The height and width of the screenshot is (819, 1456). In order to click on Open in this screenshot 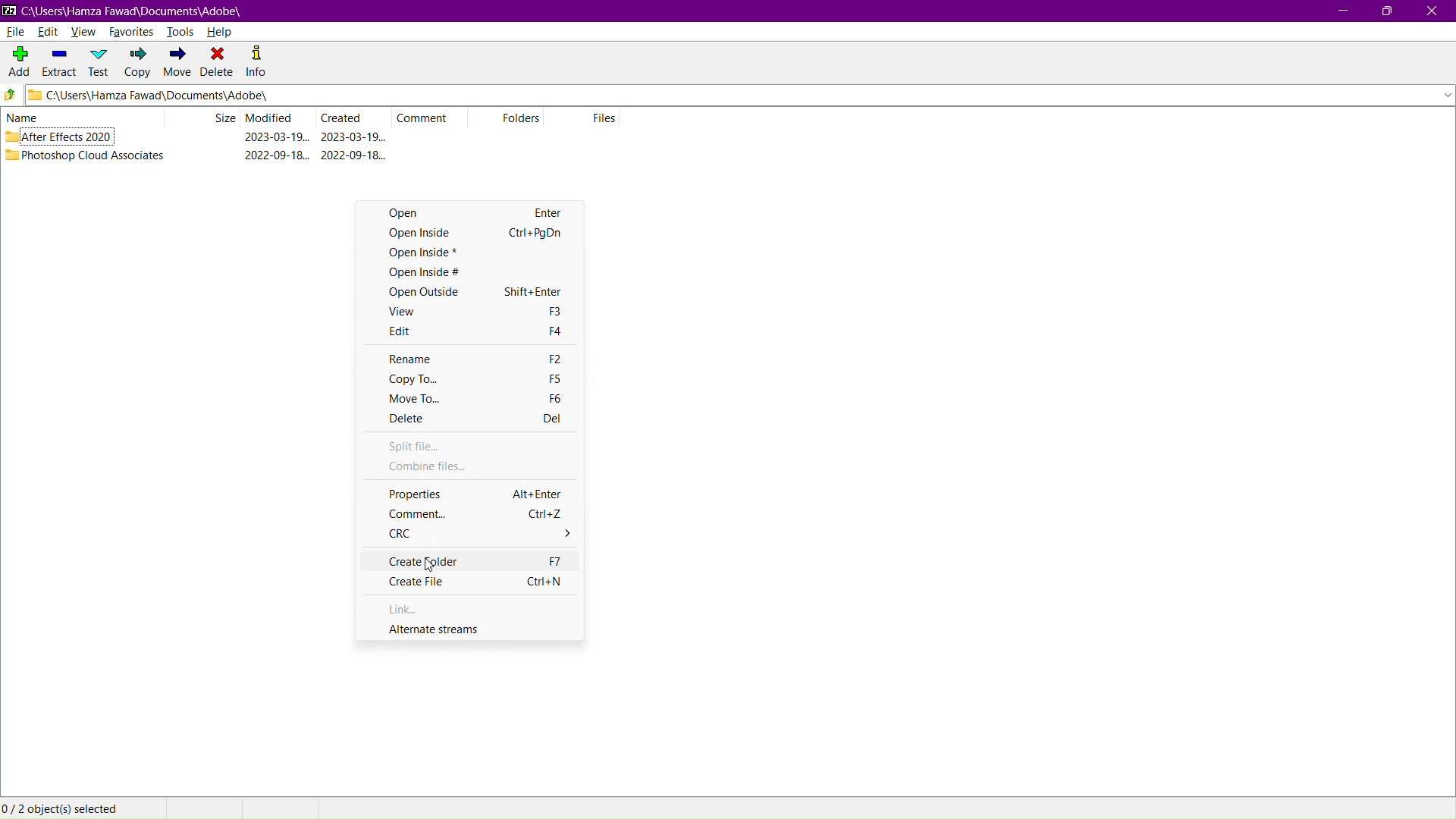, I will do `click(469, 209)`.